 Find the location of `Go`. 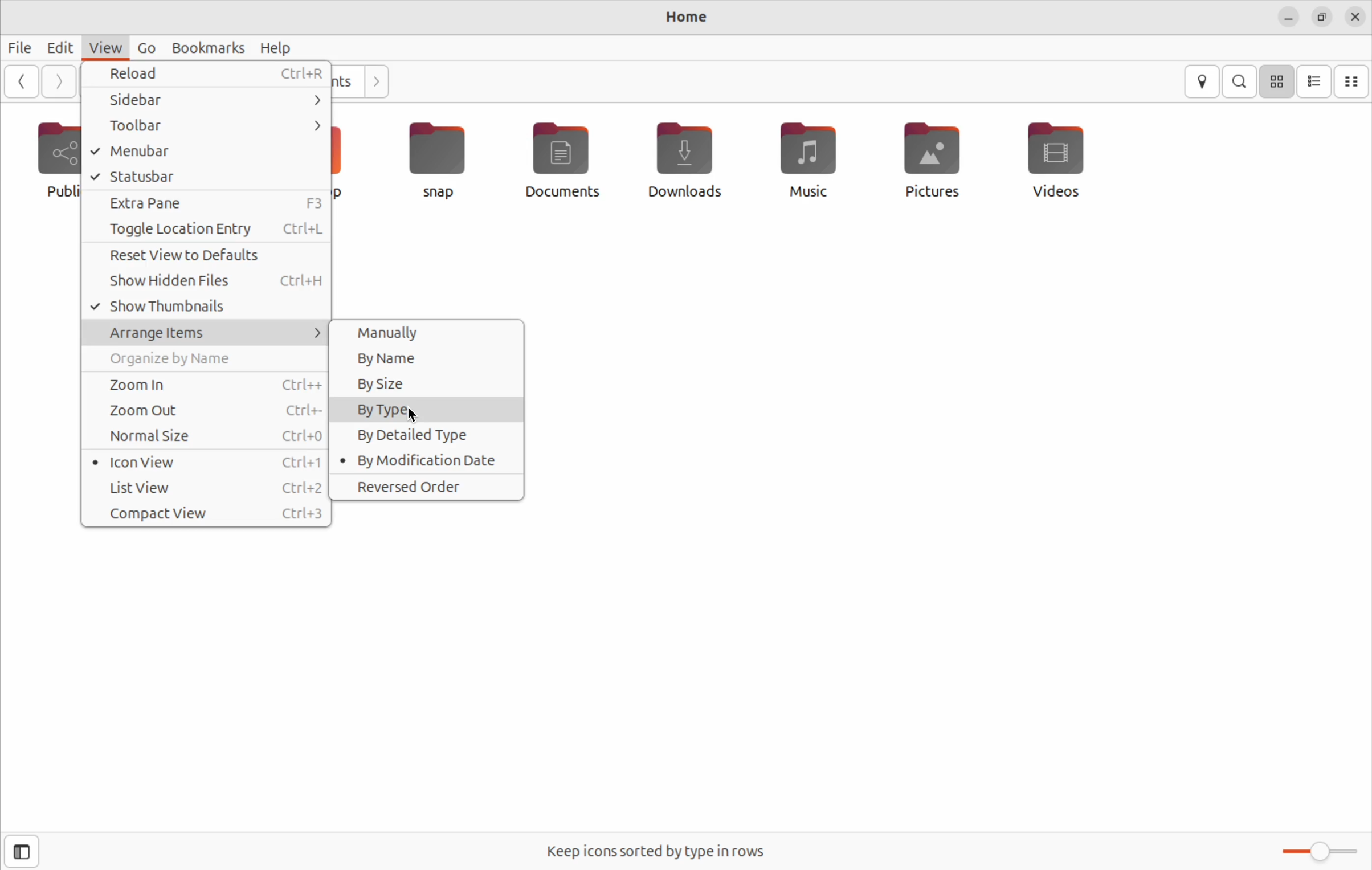

Go is located at coordinates (144, 45).